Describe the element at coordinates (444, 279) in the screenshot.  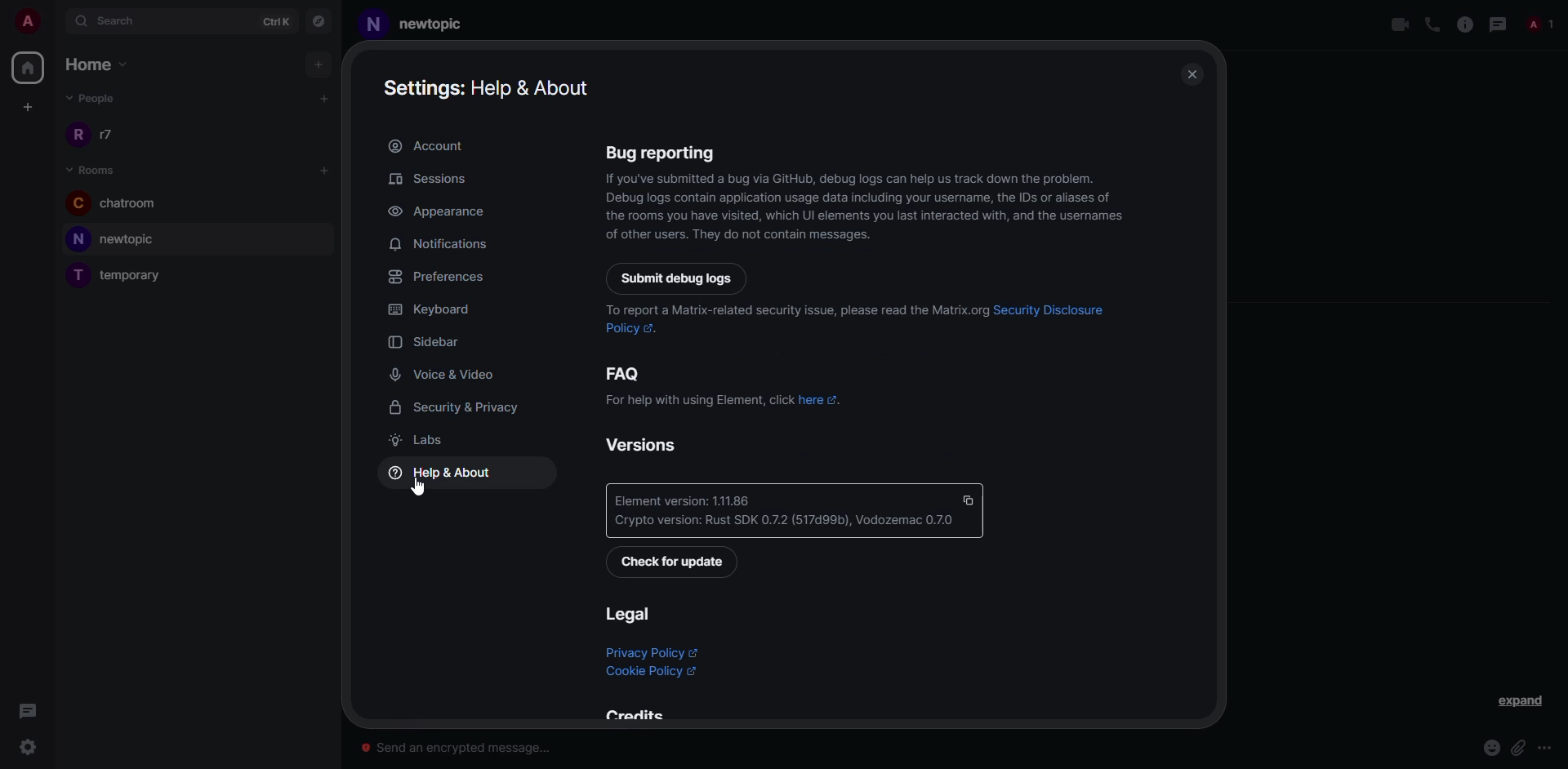
I see `preferences` at that location.